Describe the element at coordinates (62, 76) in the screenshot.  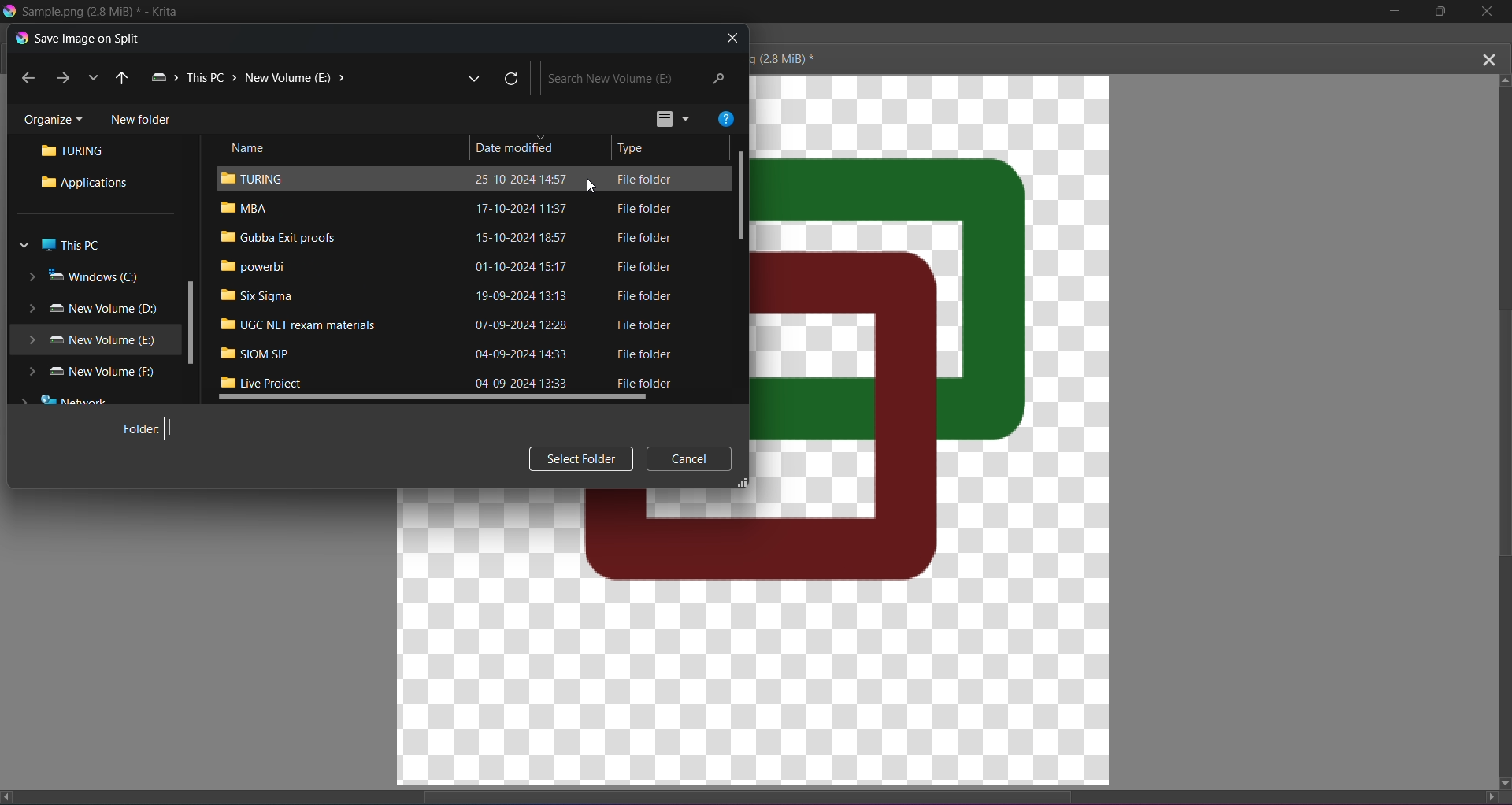
I see `Next` at that location.